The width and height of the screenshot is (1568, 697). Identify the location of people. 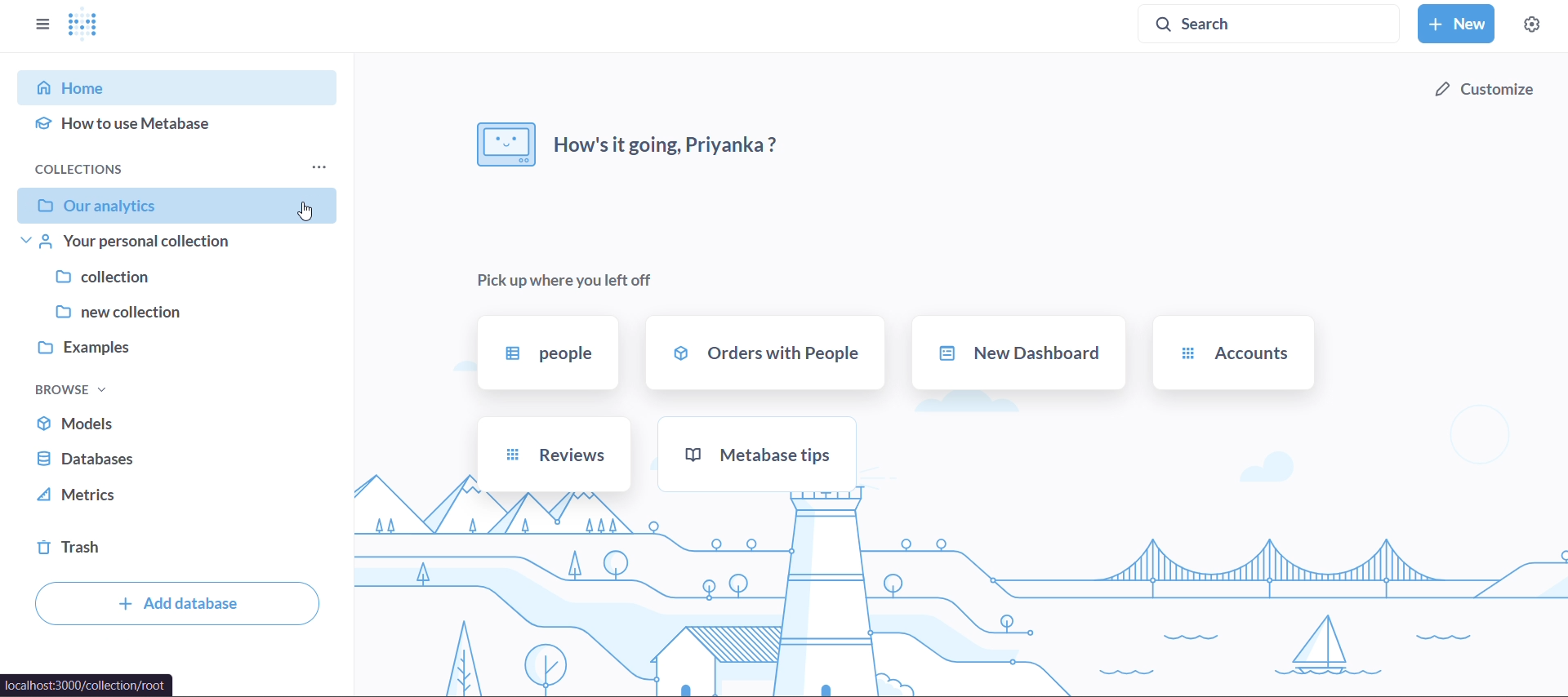
(546, 354).